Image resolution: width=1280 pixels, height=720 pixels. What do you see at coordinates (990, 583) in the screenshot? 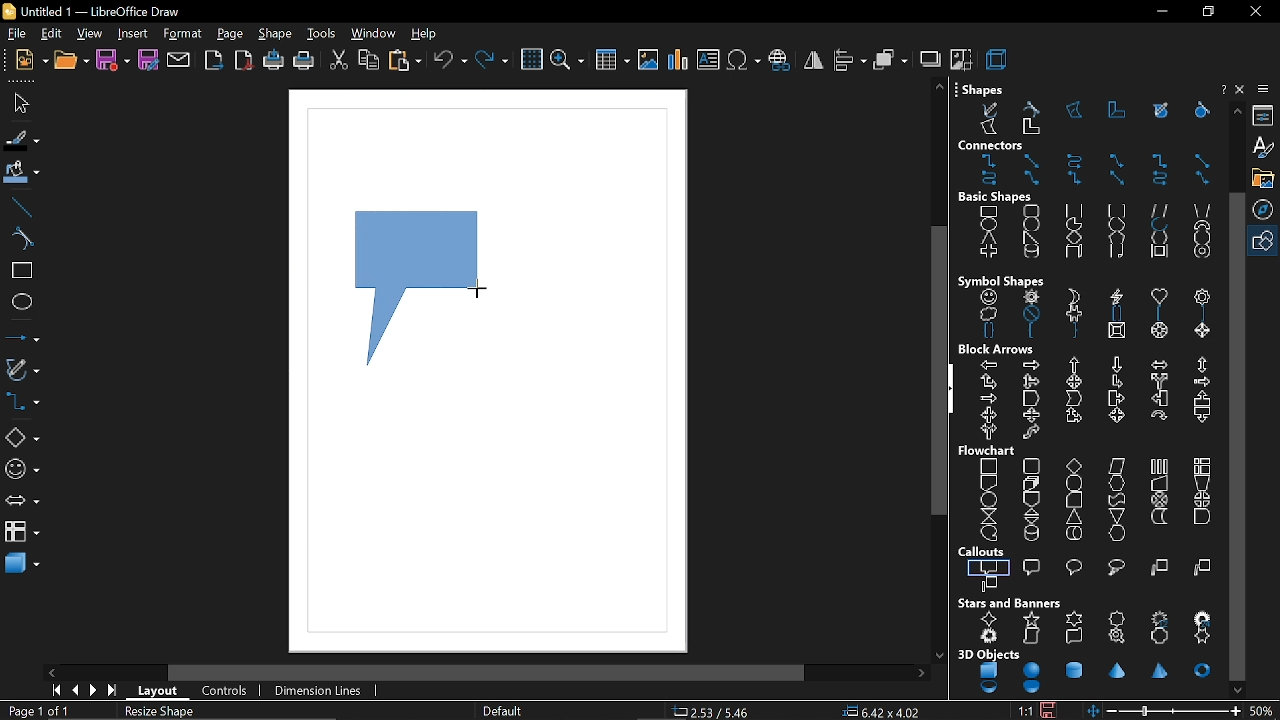
I see `line 3` at bounding box center [990, 583].